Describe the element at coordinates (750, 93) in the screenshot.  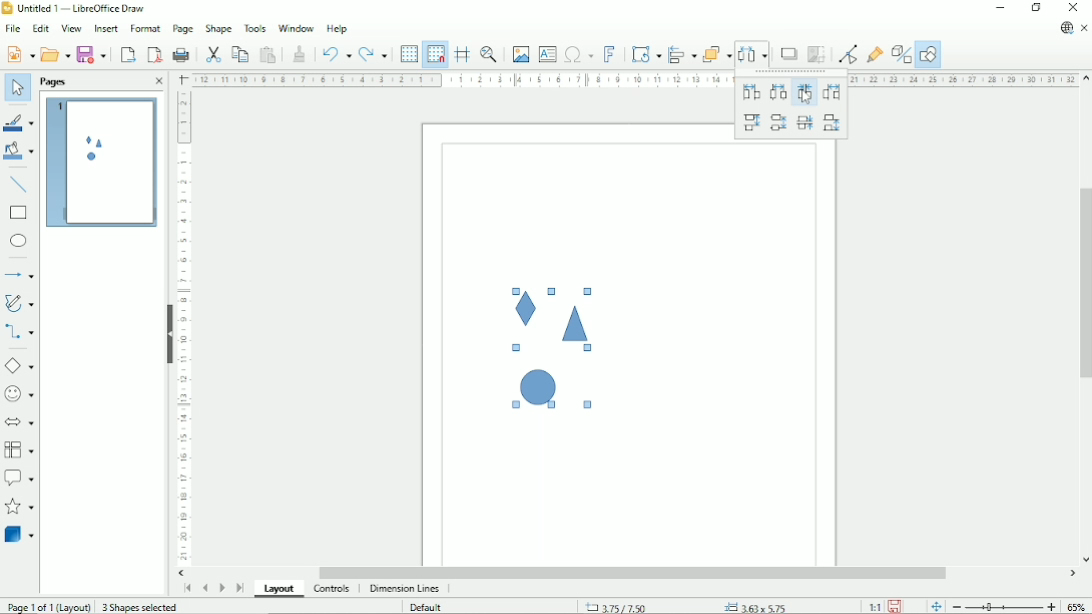
I see `Horizontally left` at that location.